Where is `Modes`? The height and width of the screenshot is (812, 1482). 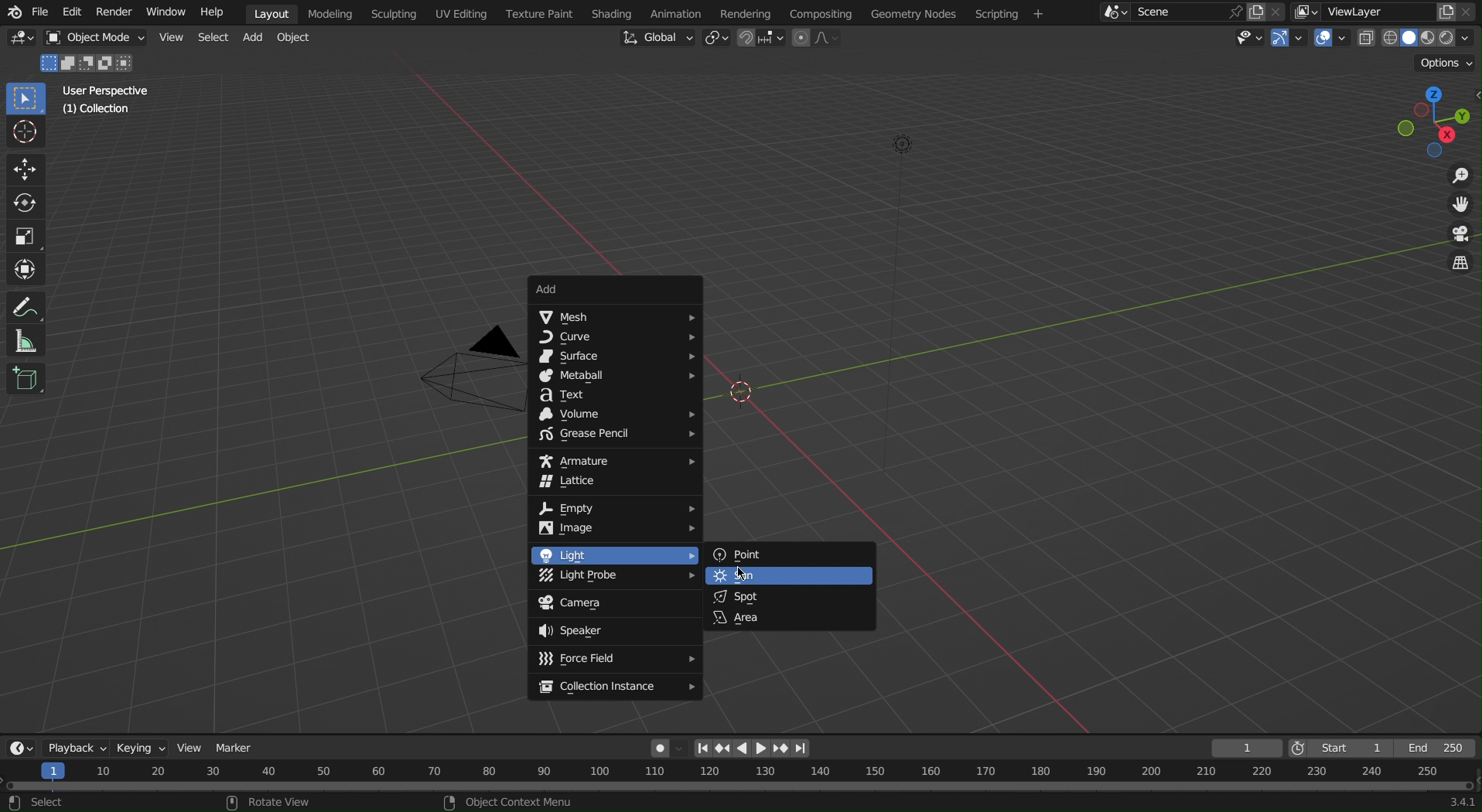 Modes is located at coordinates (91, 62).